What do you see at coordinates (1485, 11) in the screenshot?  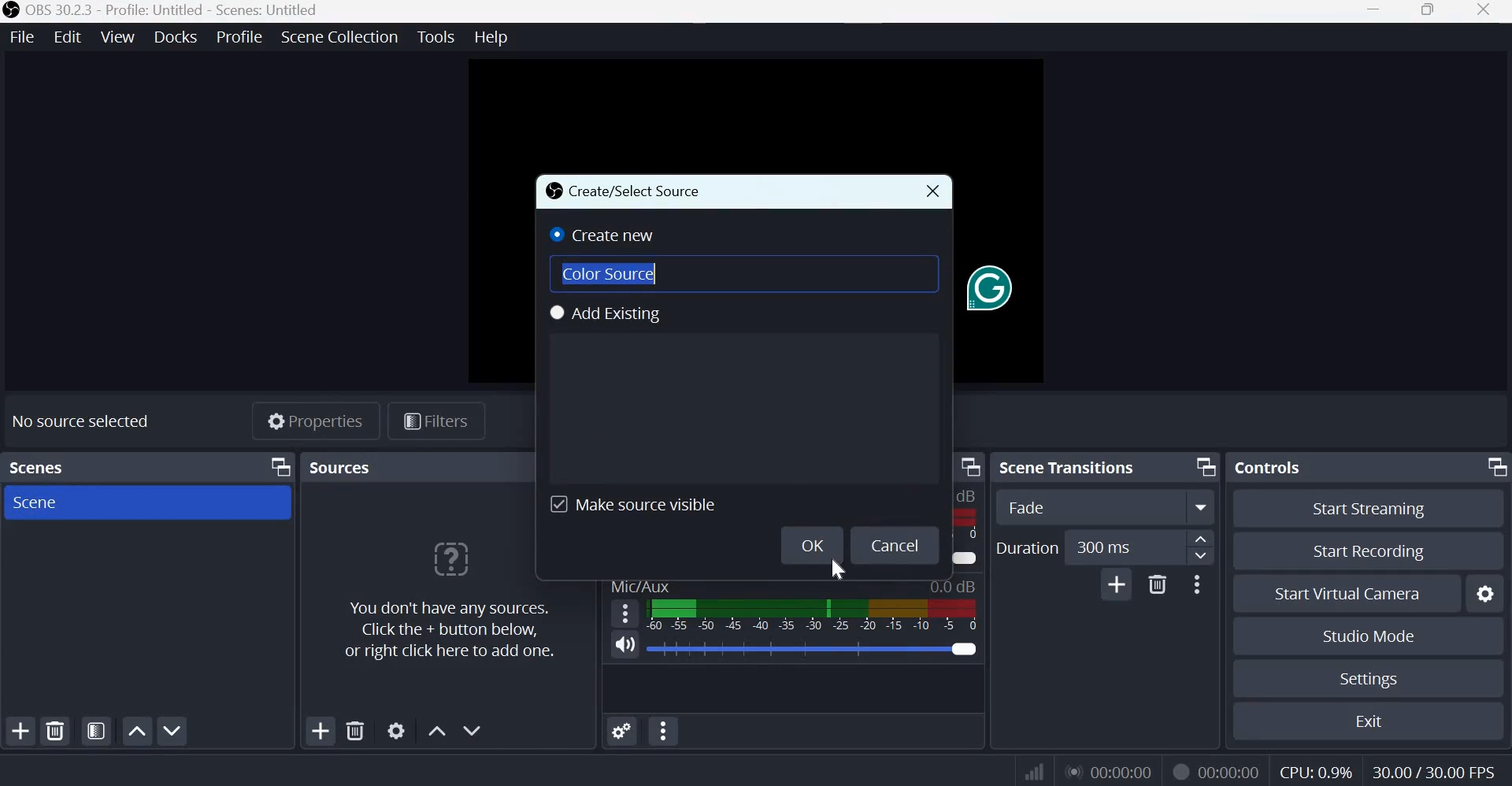 I see `Close` at bounding box center [1485, 11].